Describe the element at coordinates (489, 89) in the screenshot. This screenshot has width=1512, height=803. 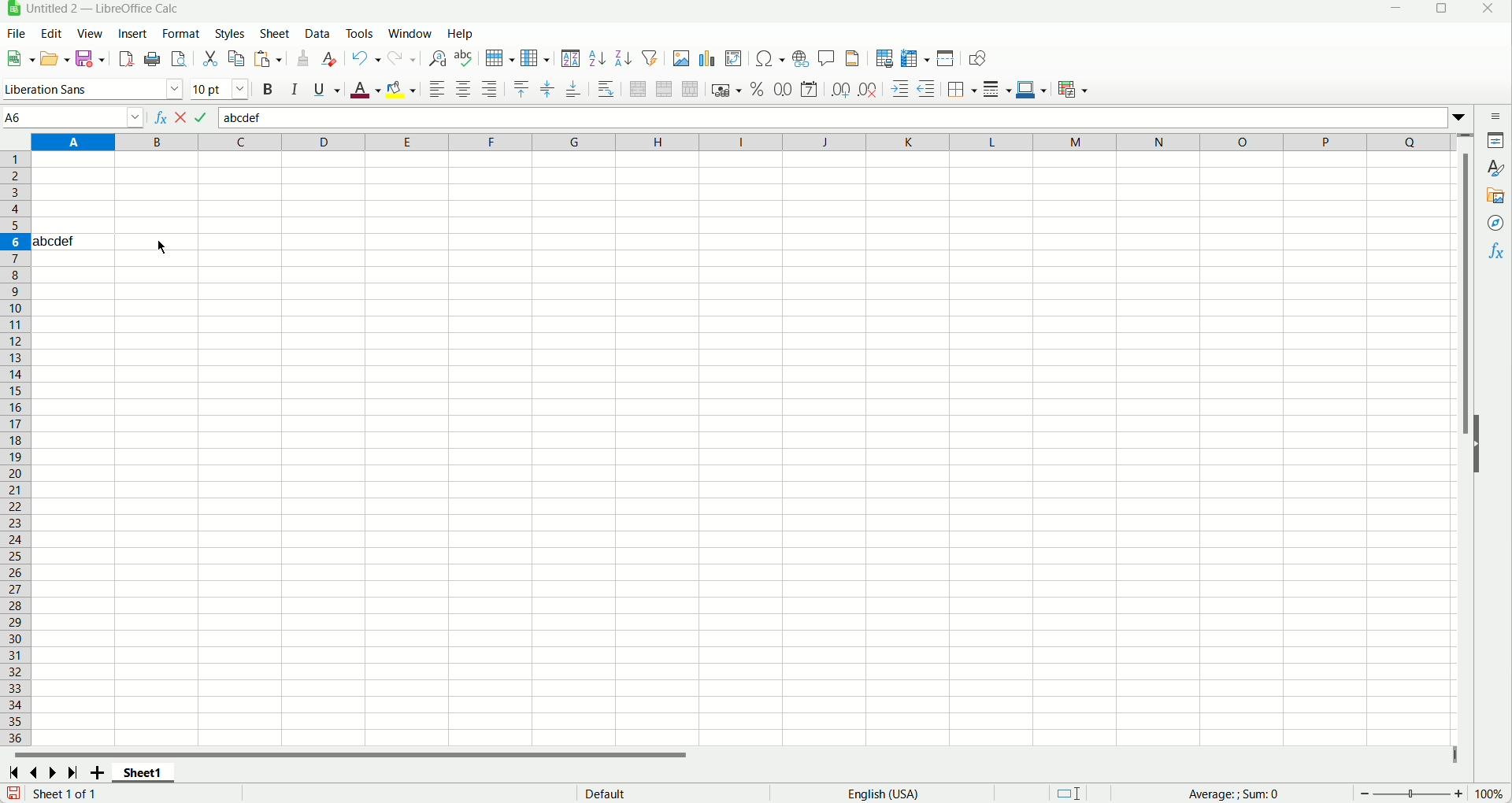
I see `align right` at that location.